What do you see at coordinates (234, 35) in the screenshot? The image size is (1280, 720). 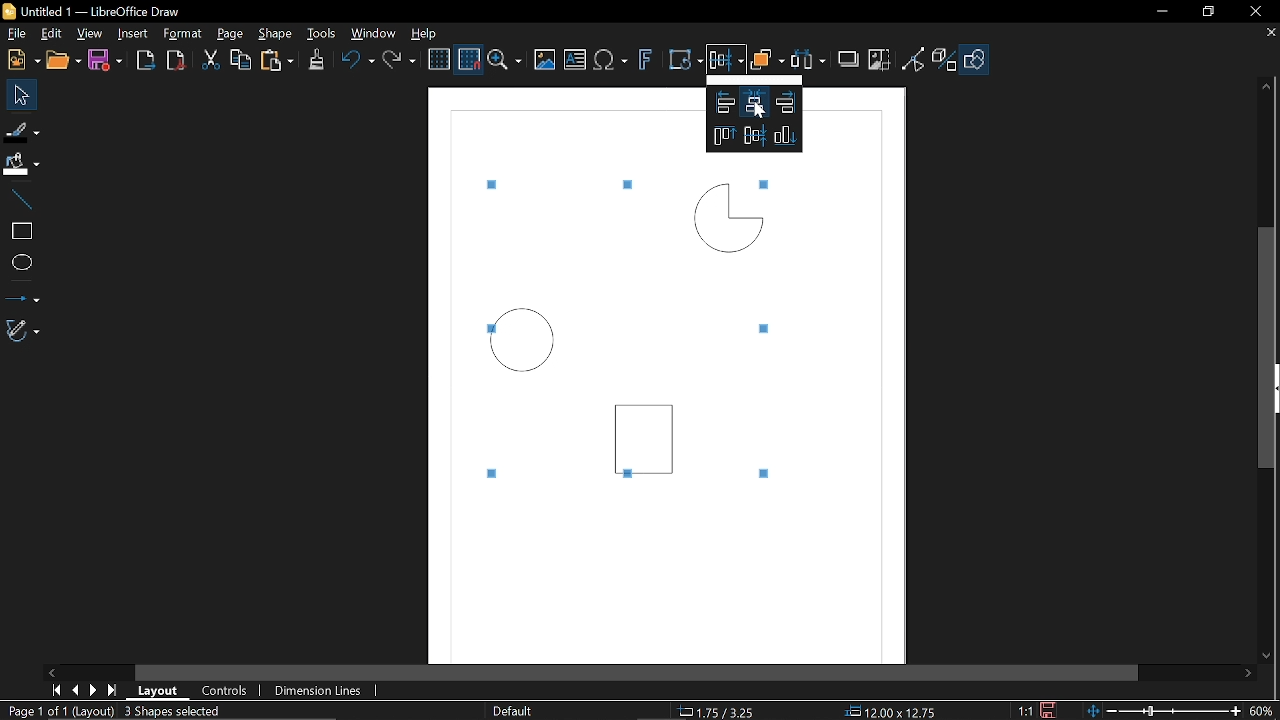 I see `page` at bounding box center [234, 35].